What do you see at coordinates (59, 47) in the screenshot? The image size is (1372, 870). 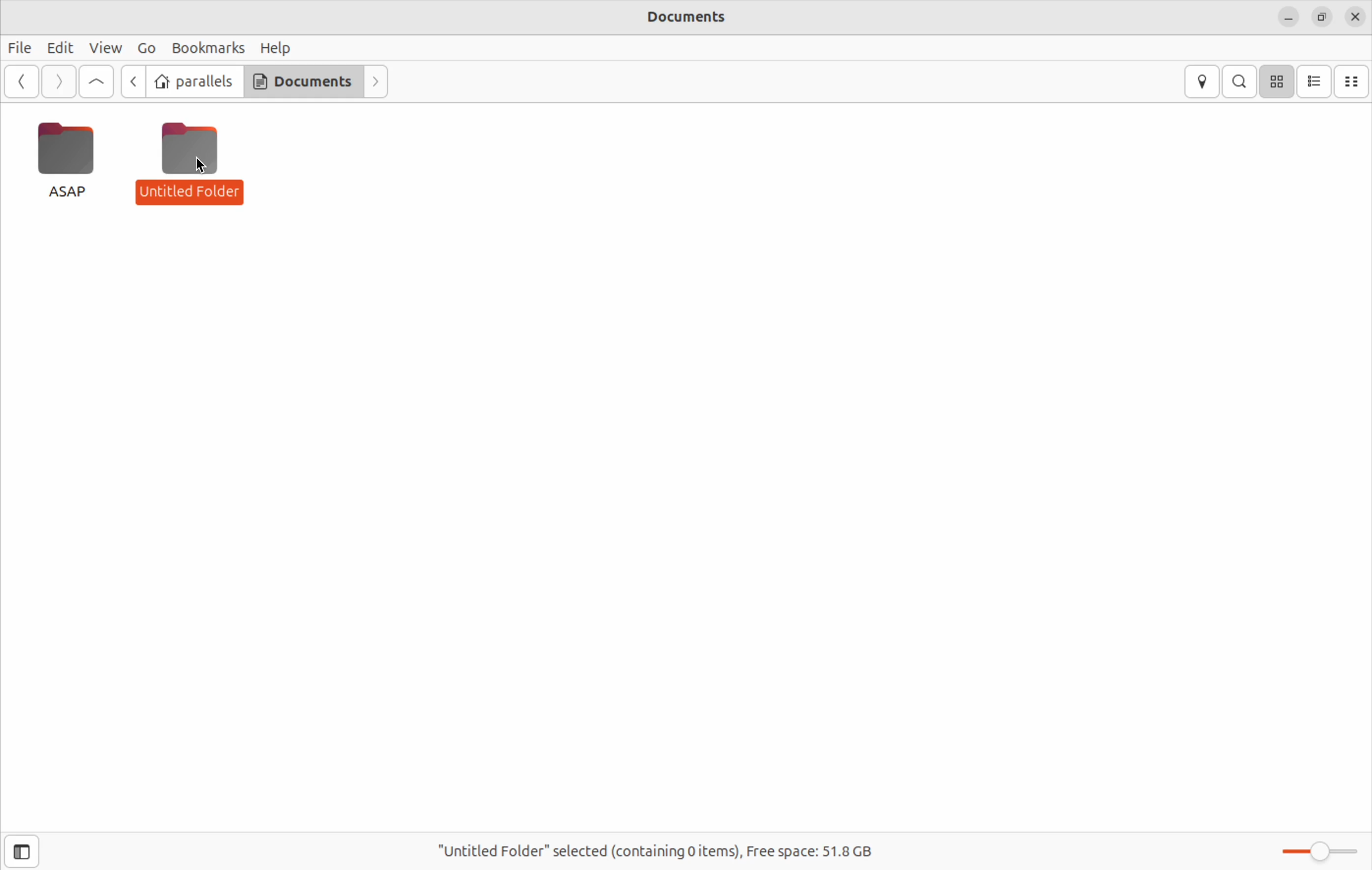 I see `Edit` at bounding box center [59, 47].